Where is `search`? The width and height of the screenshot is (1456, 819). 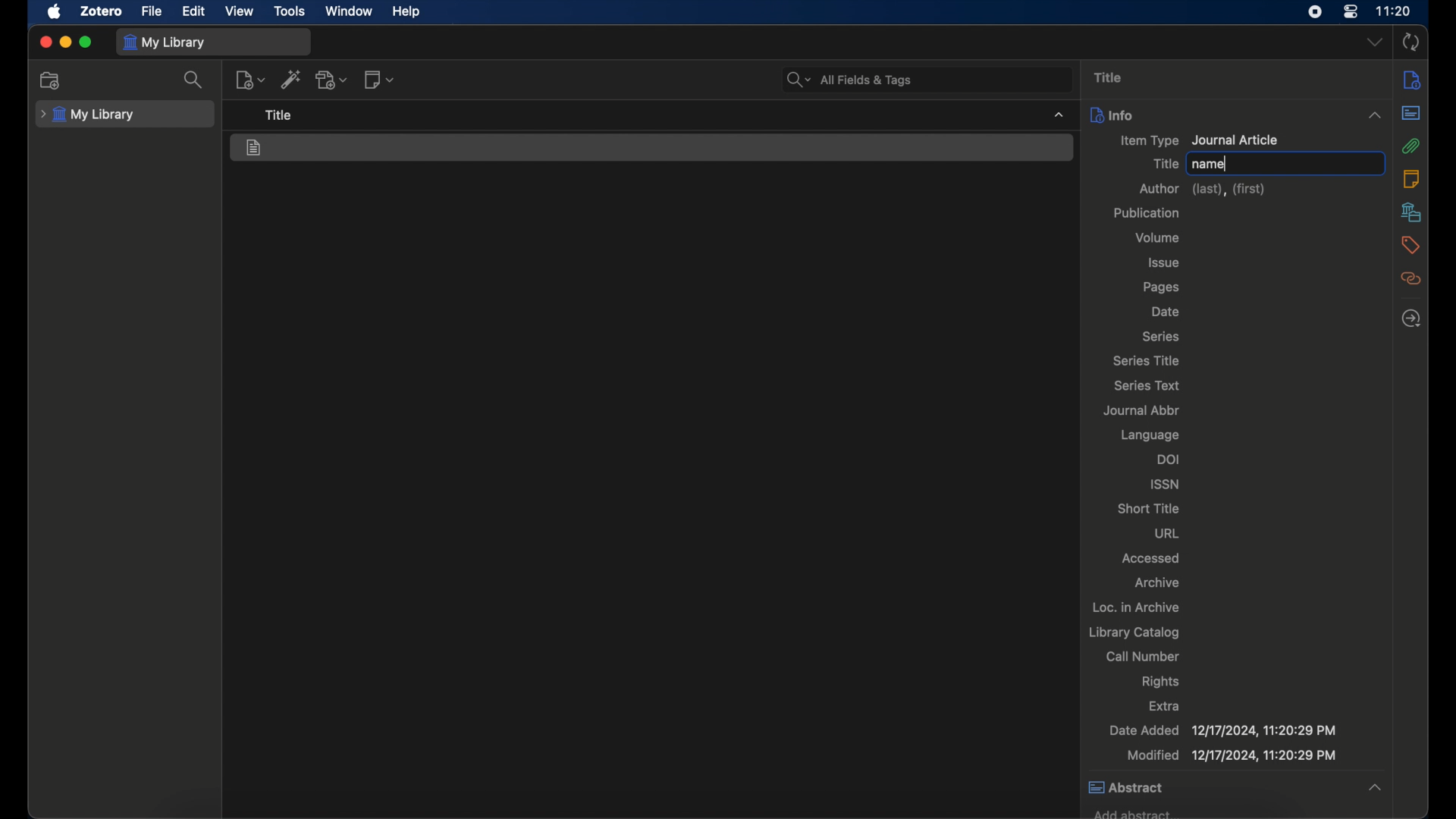 search is located at coordinates (193, 80).